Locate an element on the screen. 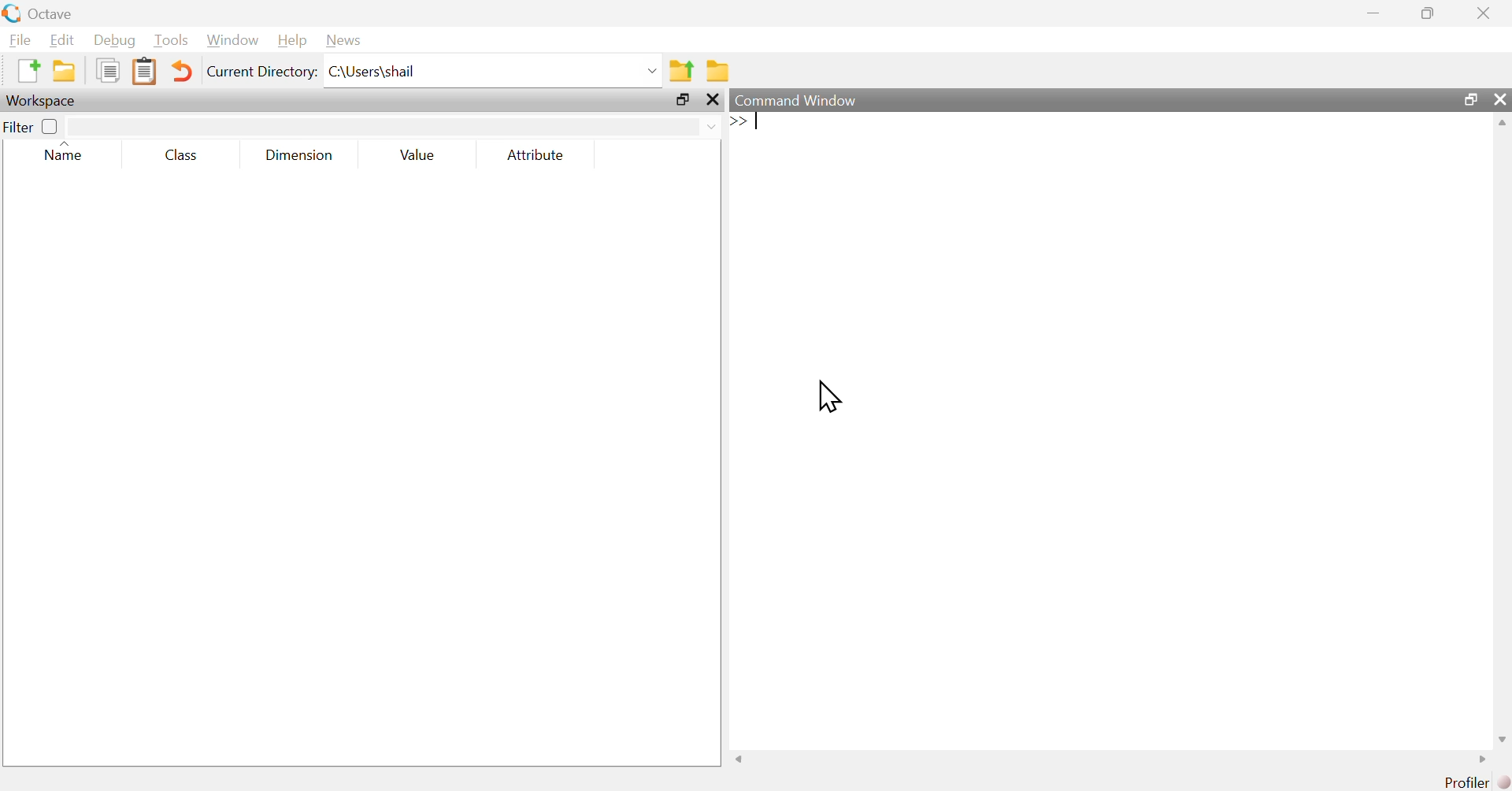  copy is located at coordinates (107, 71).